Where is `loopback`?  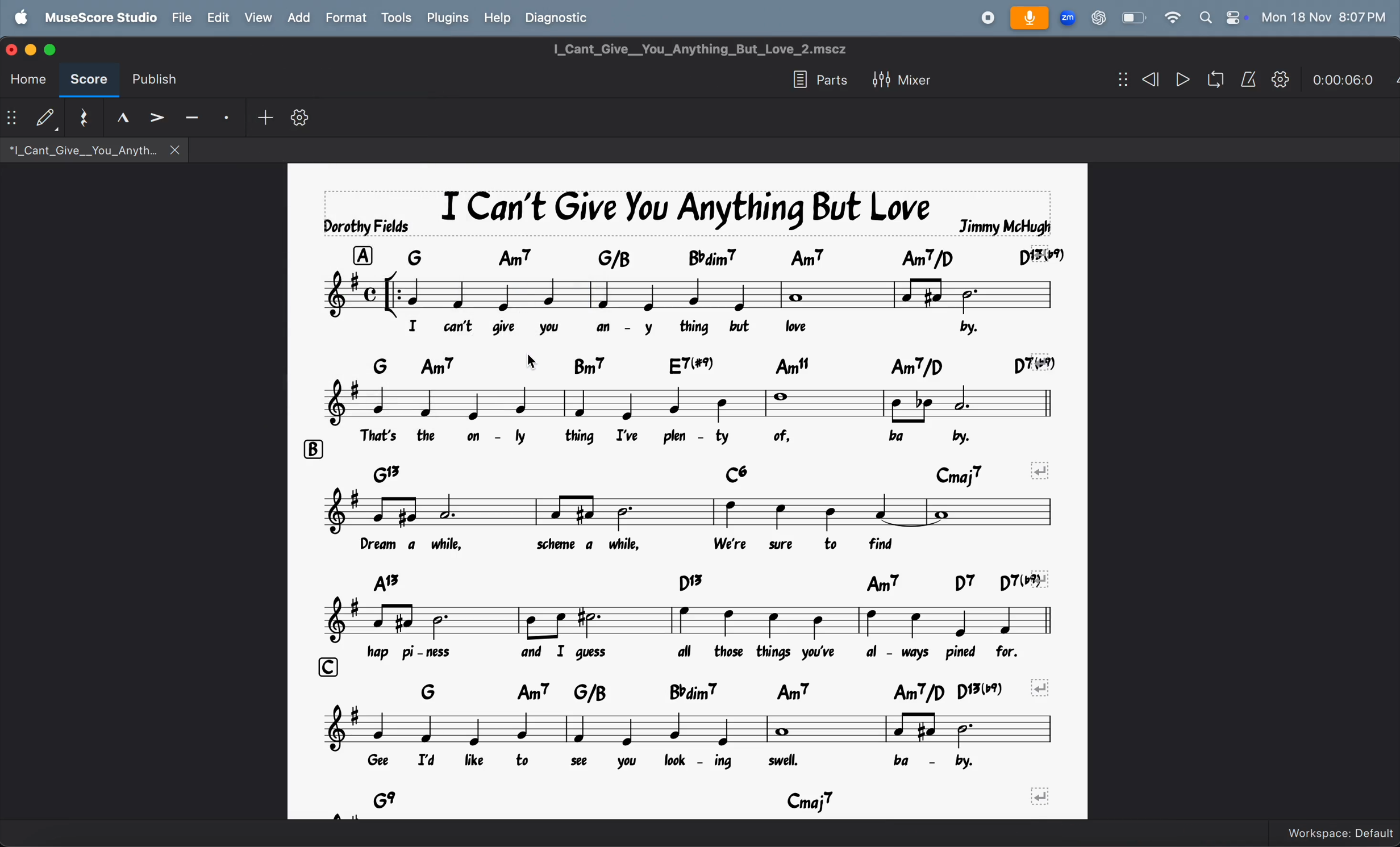
loopback is located at coordinates (1216, 82).